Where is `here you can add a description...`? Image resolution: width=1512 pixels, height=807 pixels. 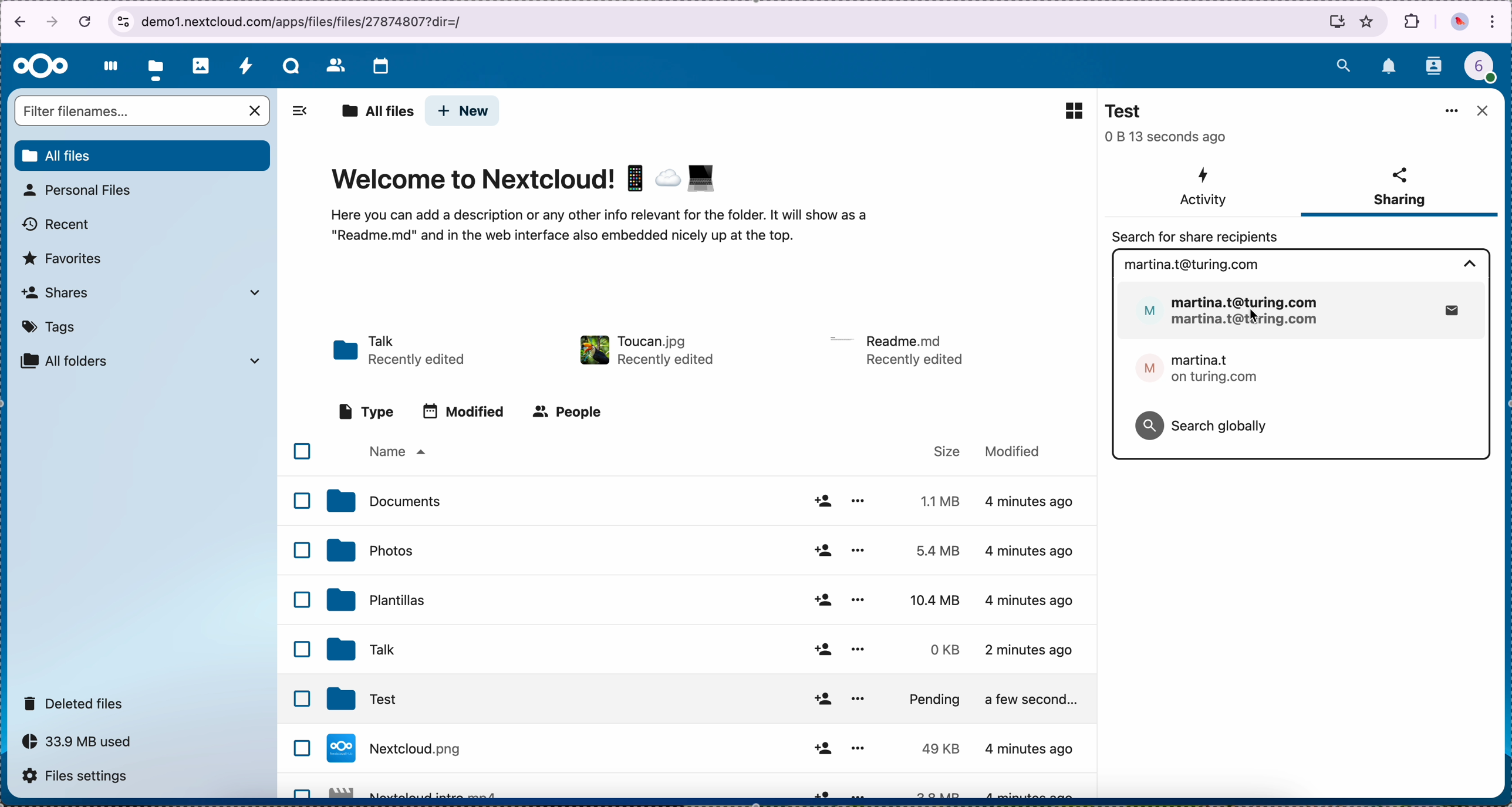
here you can add a description... is located at coordinates (617, 232).